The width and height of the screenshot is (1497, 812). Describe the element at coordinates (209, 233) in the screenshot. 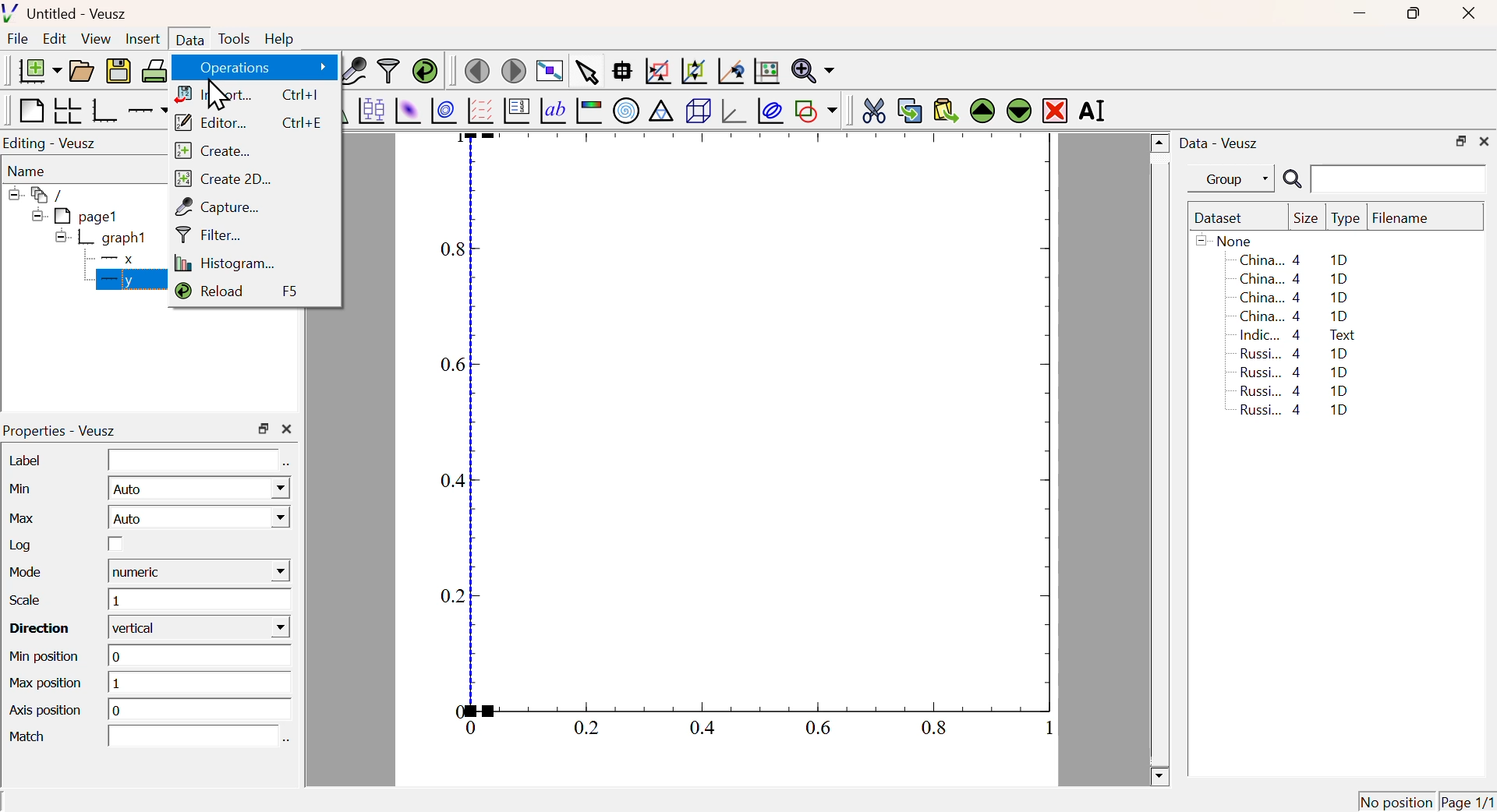

I see `Filter...` at that location.